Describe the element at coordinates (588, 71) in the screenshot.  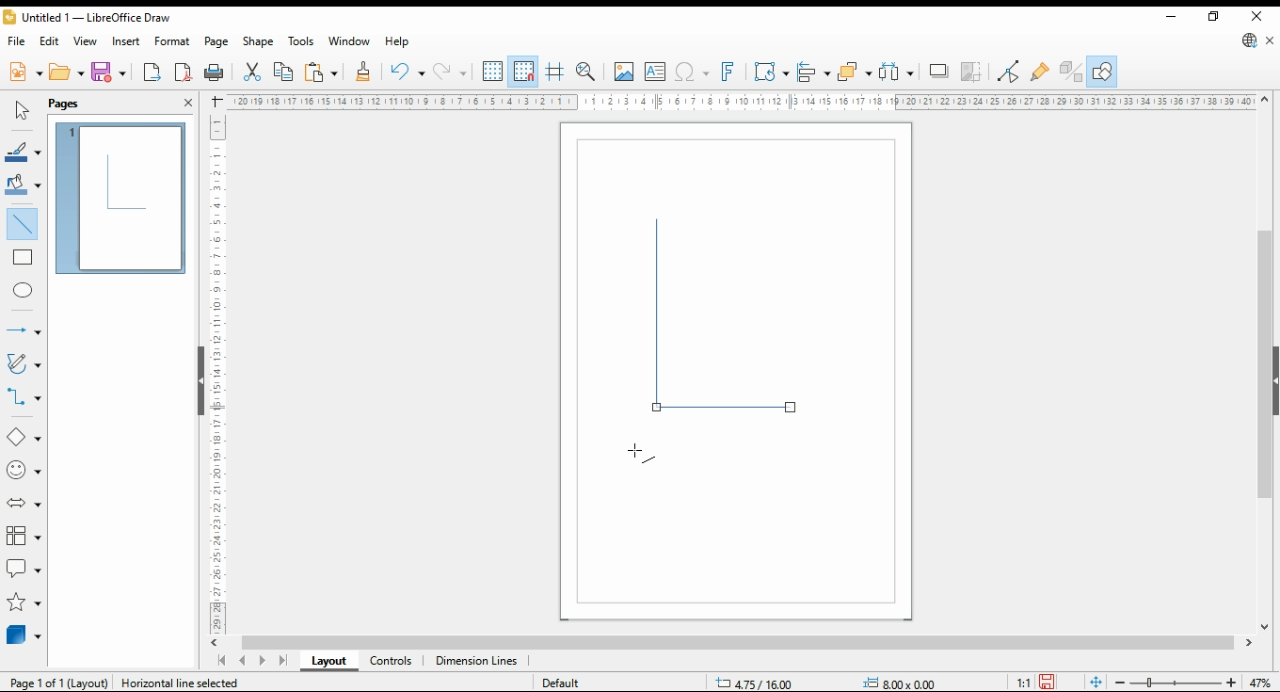
I see `pan and zoom` at that location.